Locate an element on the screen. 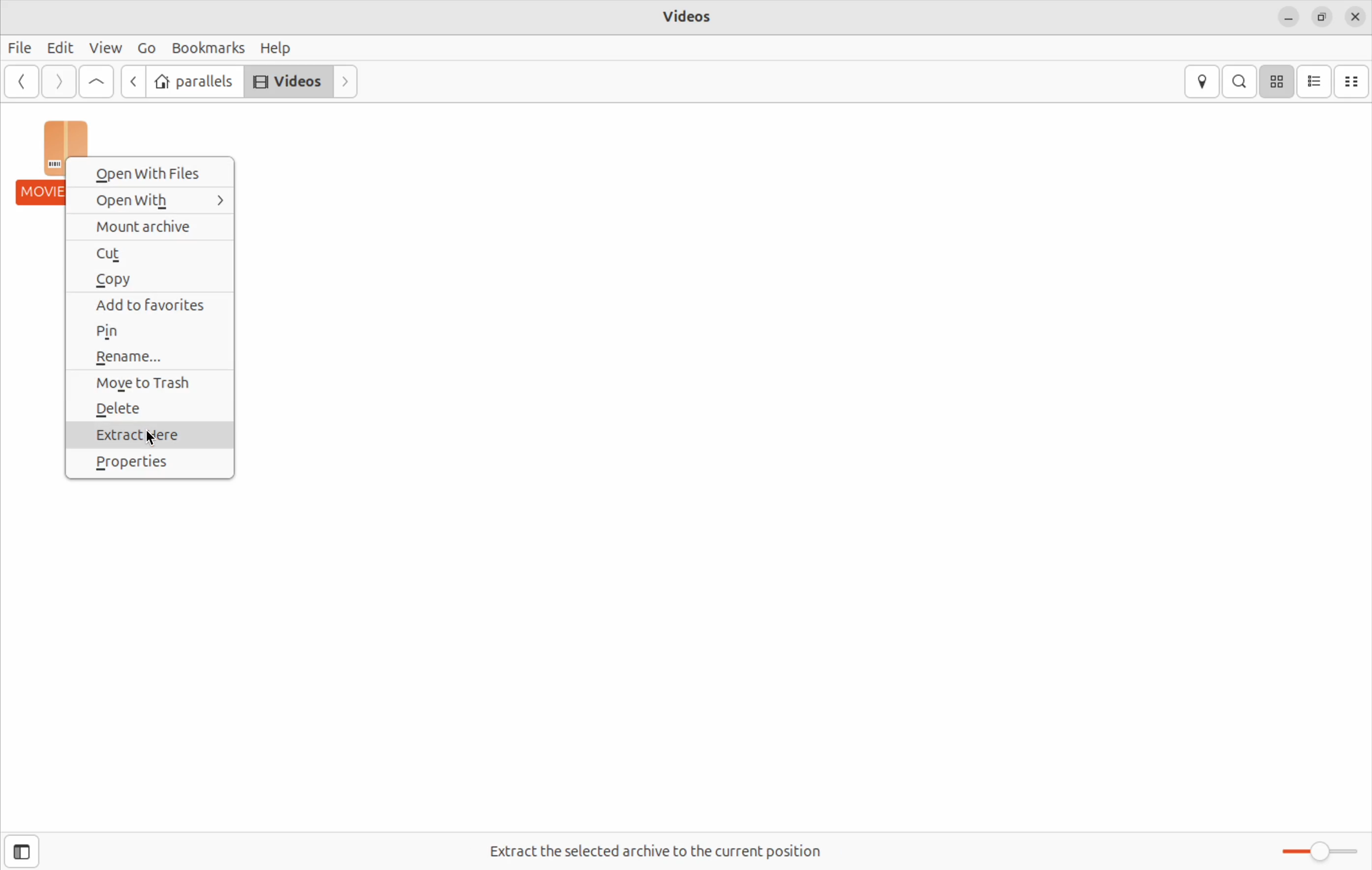 Image resolution: width=1372 pixels, height=870 pixels. rename is located at coordinates (159, 358).